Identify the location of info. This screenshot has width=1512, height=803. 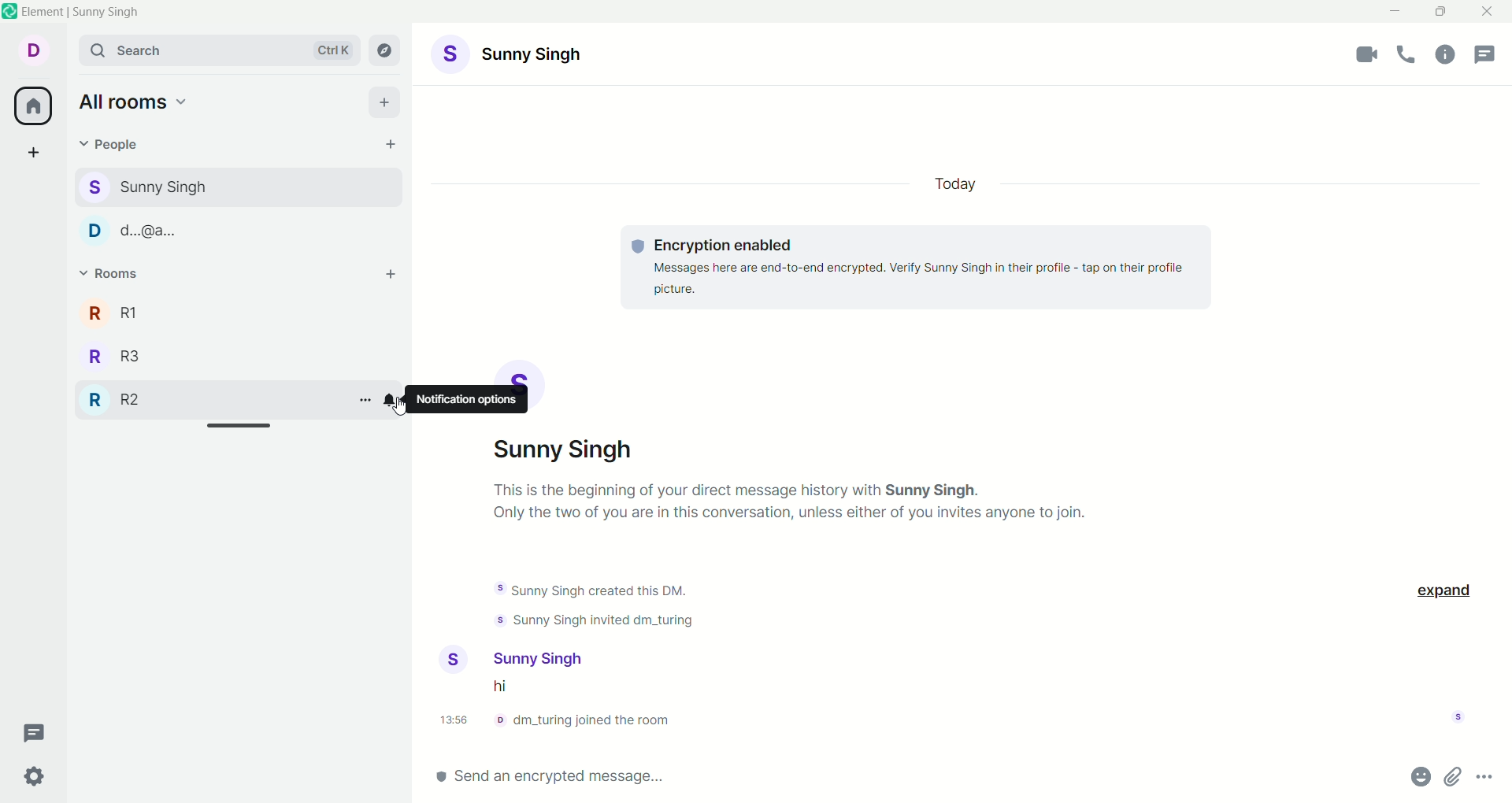
(589, 720).